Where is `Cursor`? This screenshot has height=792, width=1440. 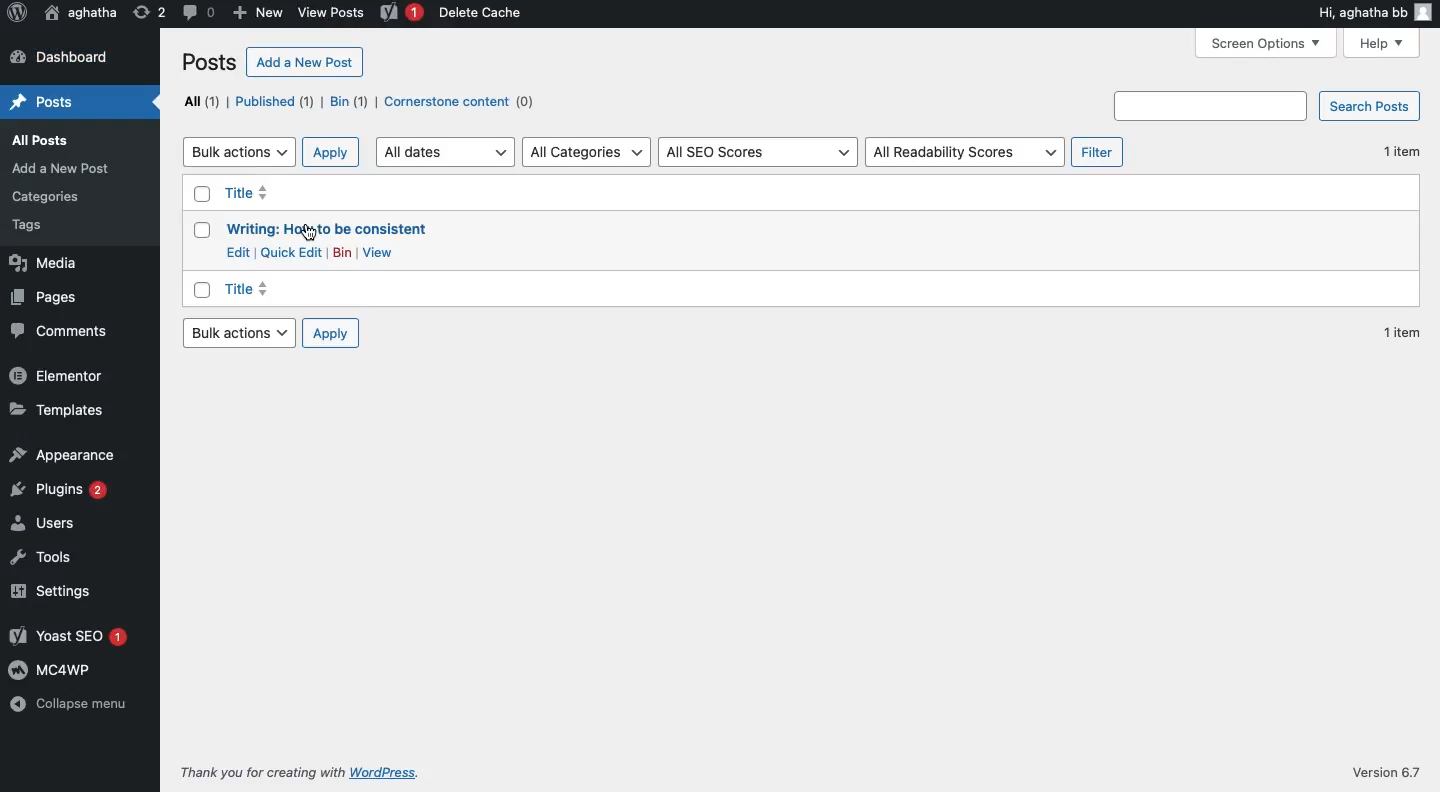 Cursor is located at coordinates (309, 233).